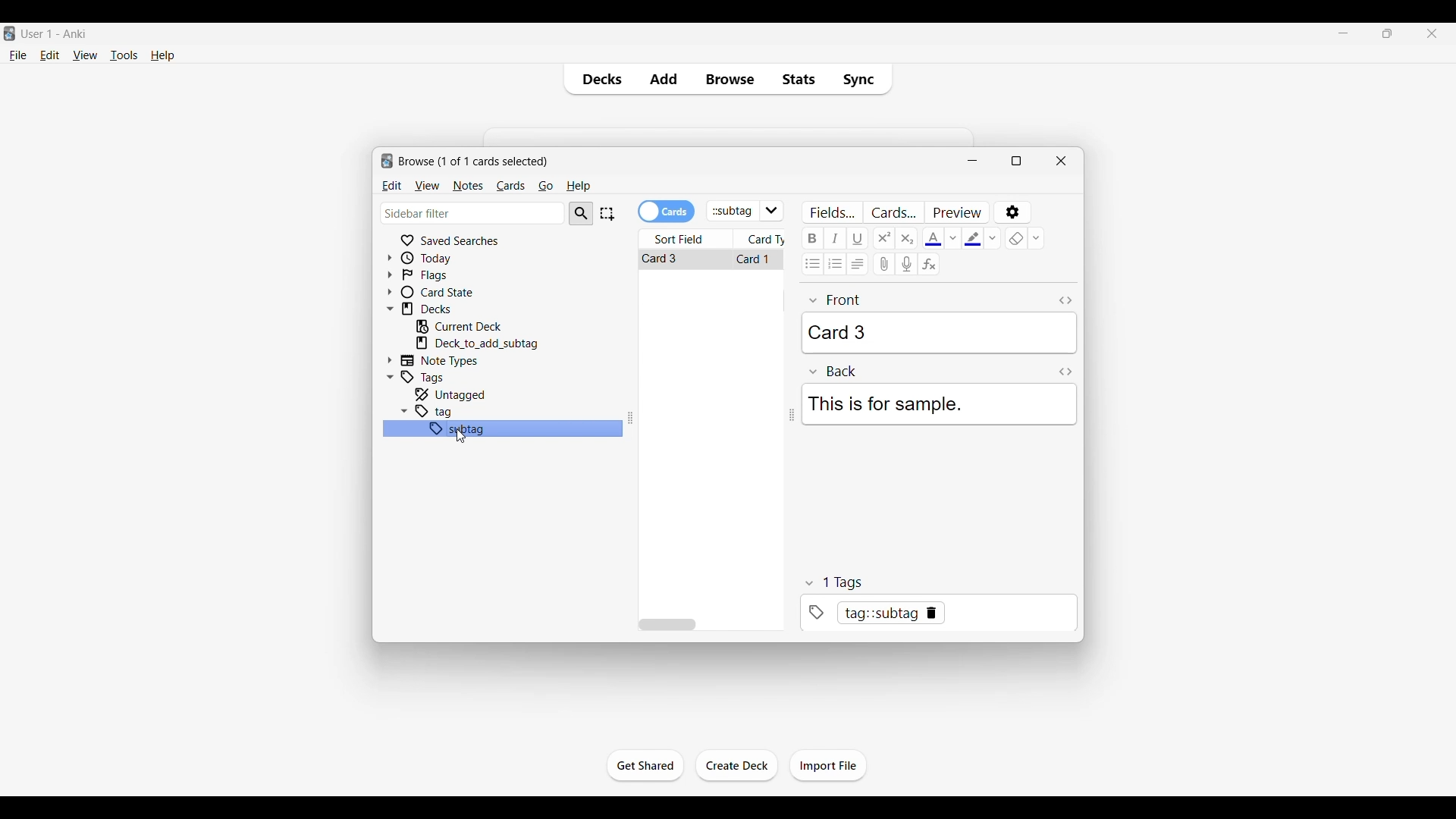  I want to click on Sort field column, so click(686, 239).